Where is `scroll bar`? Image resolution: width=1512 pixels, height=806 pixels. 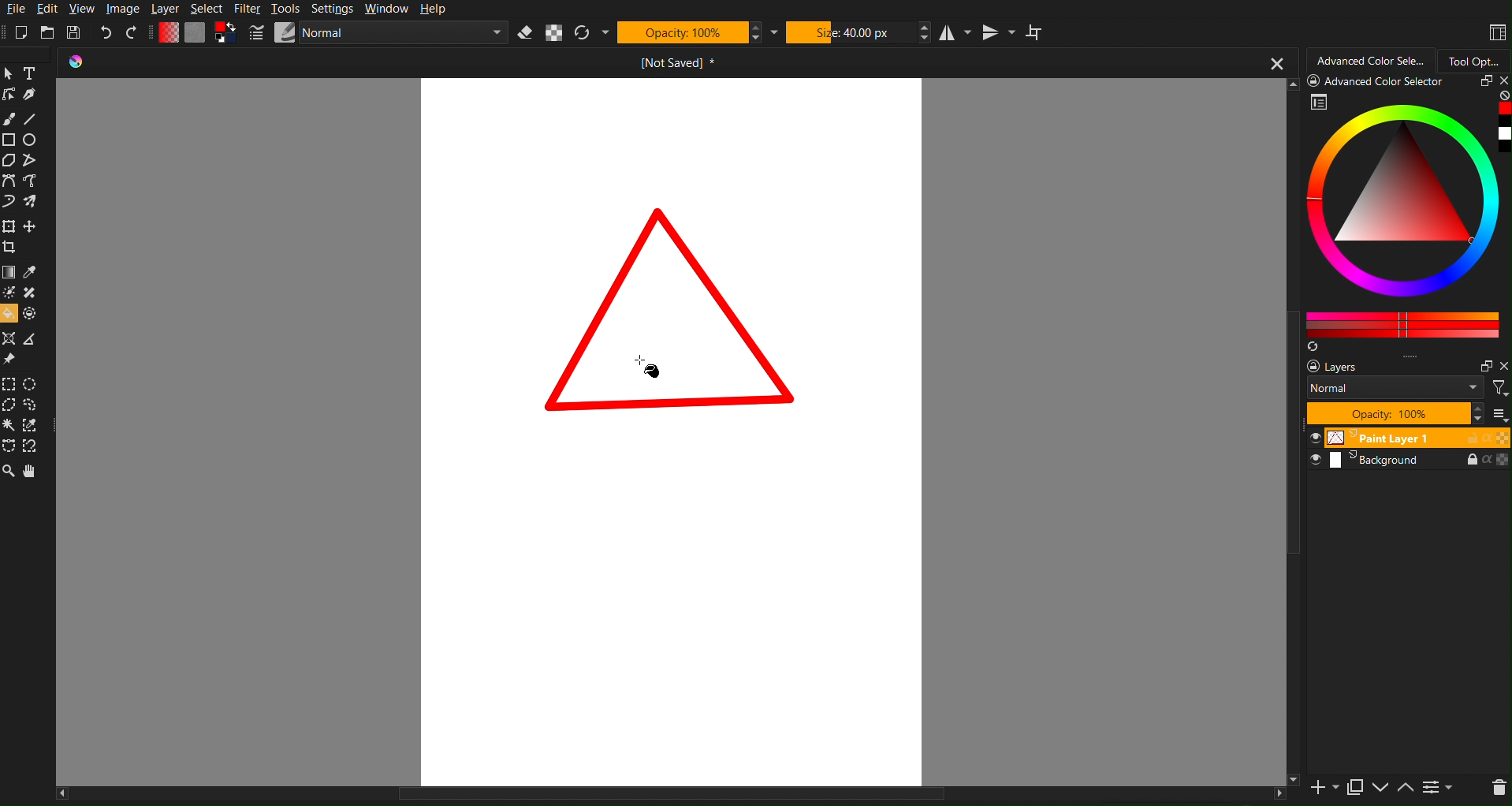
scroll bar is located at coordinates (1289, 432).